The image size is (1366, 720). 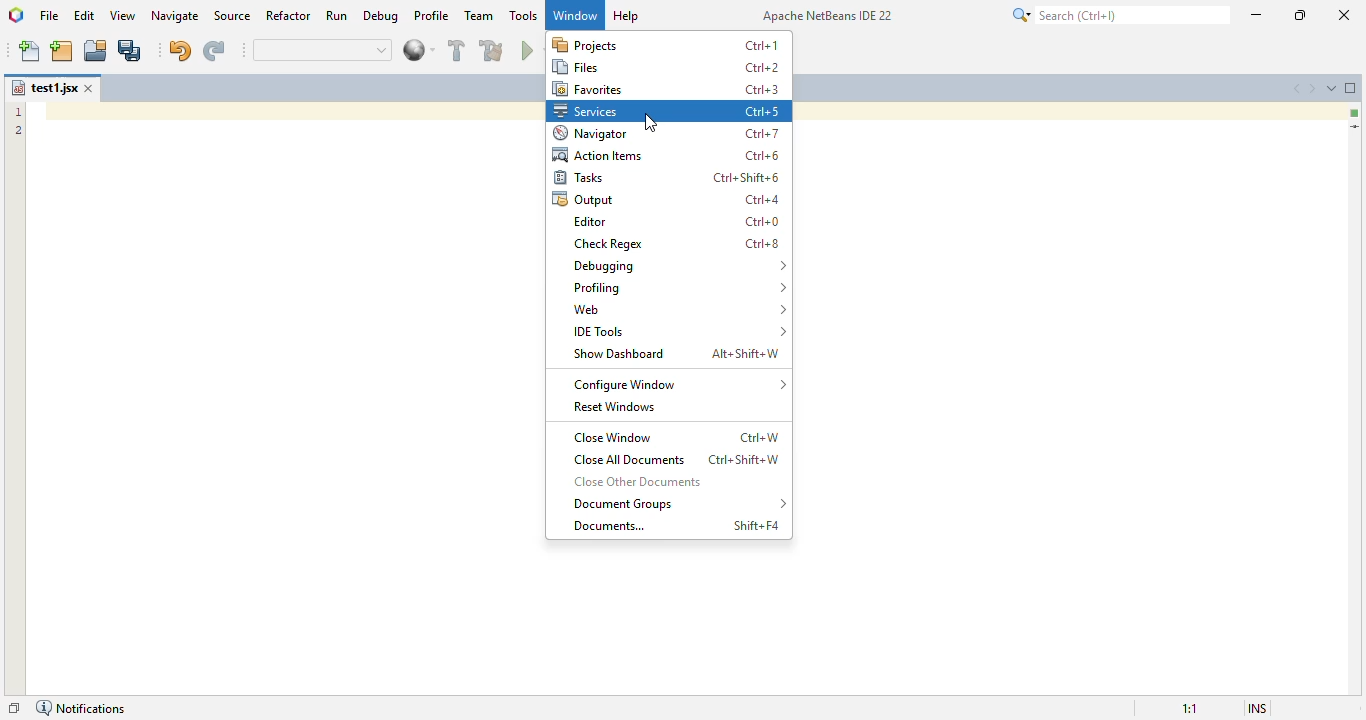 What do you see at coordinates (760, 437) in the screenshot?
I see `shortcut for close window` at bounding box center [760, 437].